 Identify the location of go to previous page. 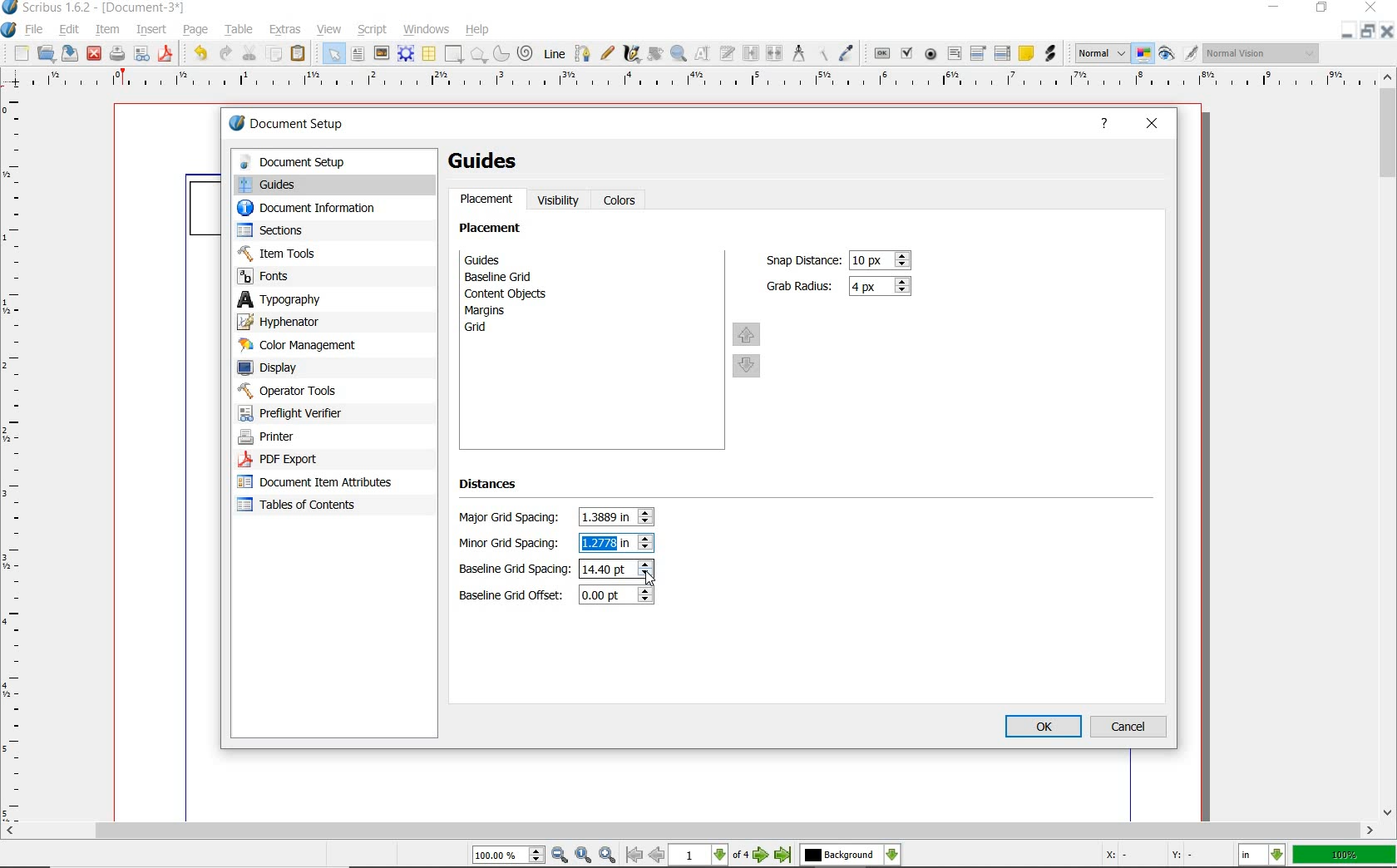
(658, 856).